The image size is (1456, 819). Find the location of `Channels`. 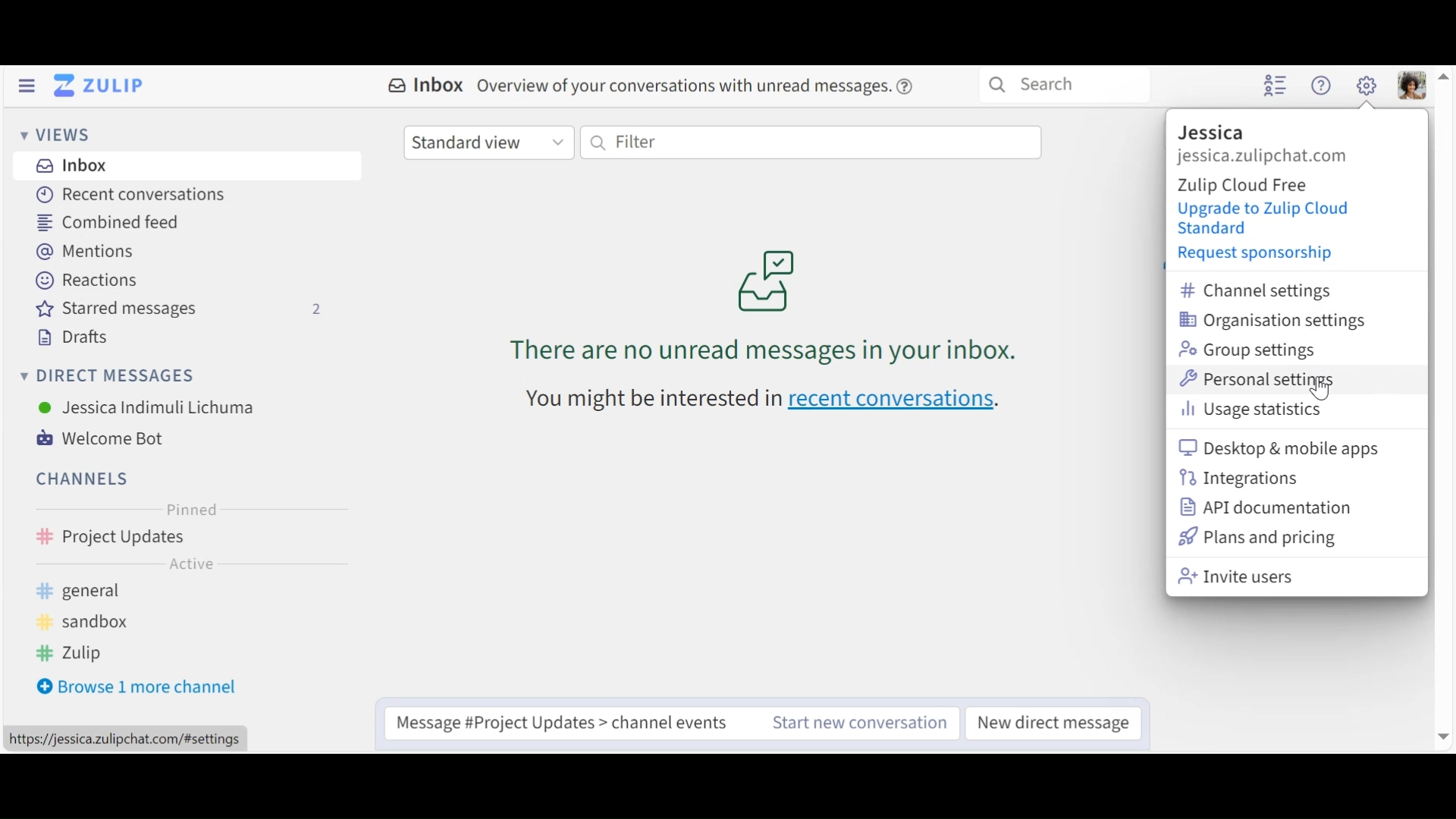

Channels is located at coordinates (80, 480).